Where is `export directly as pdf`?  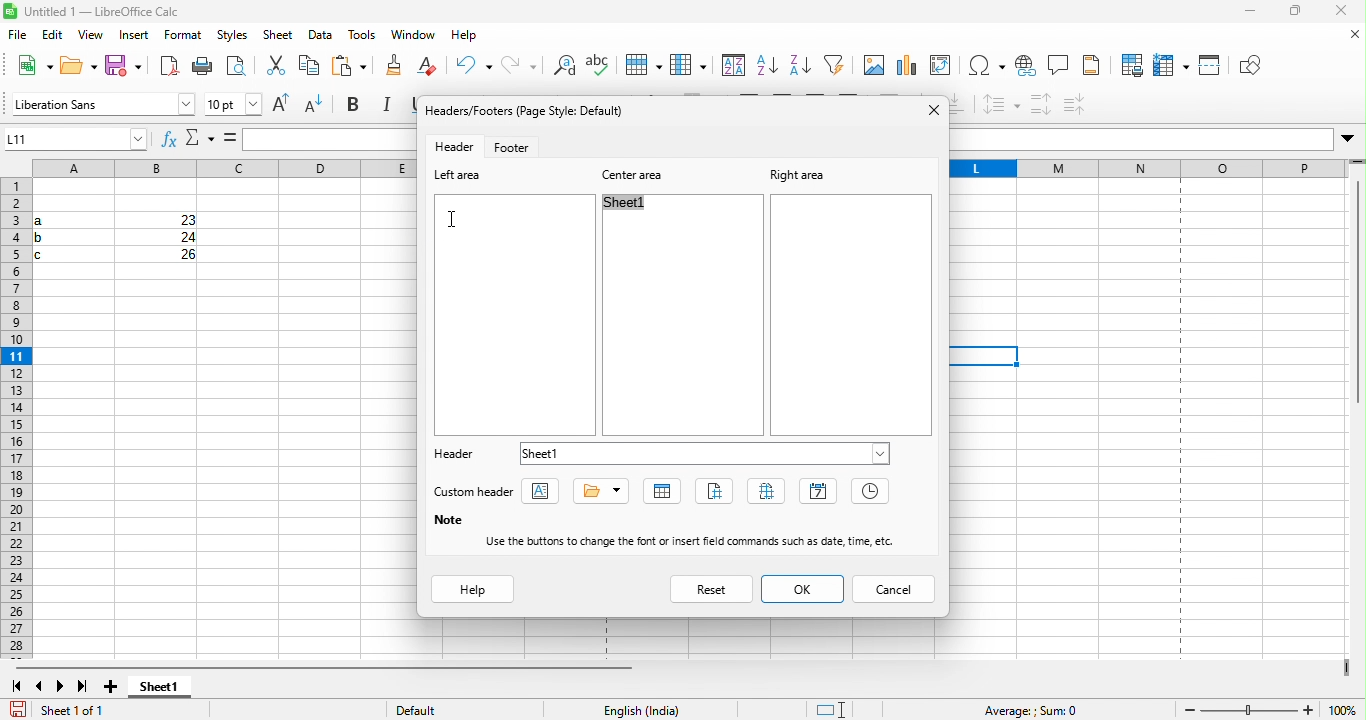
export directly as pdf is located at coordinates (166, 67).